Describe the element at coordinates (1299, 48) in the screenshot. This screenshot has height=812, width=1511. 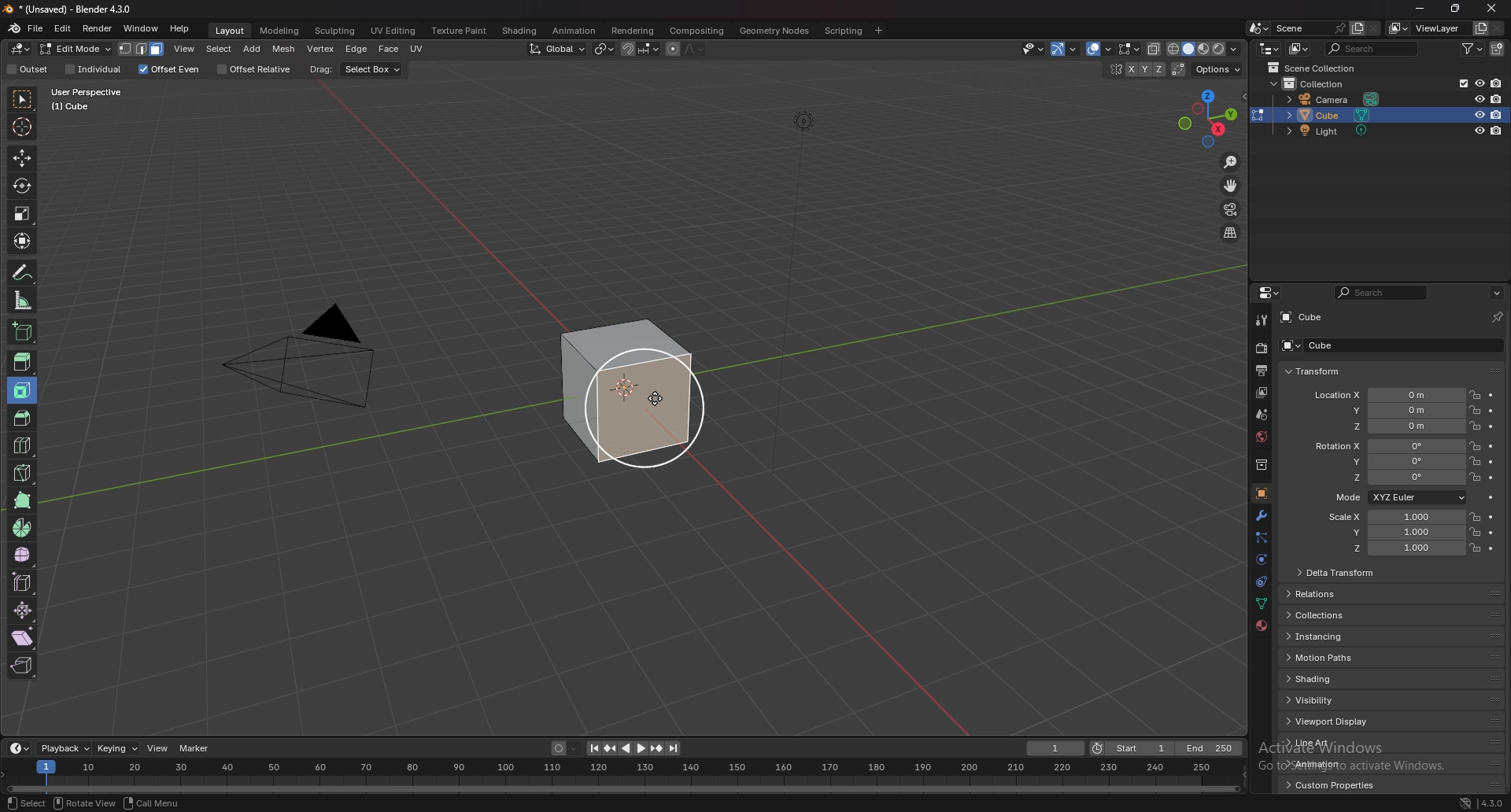
I see `display mode` at that location.